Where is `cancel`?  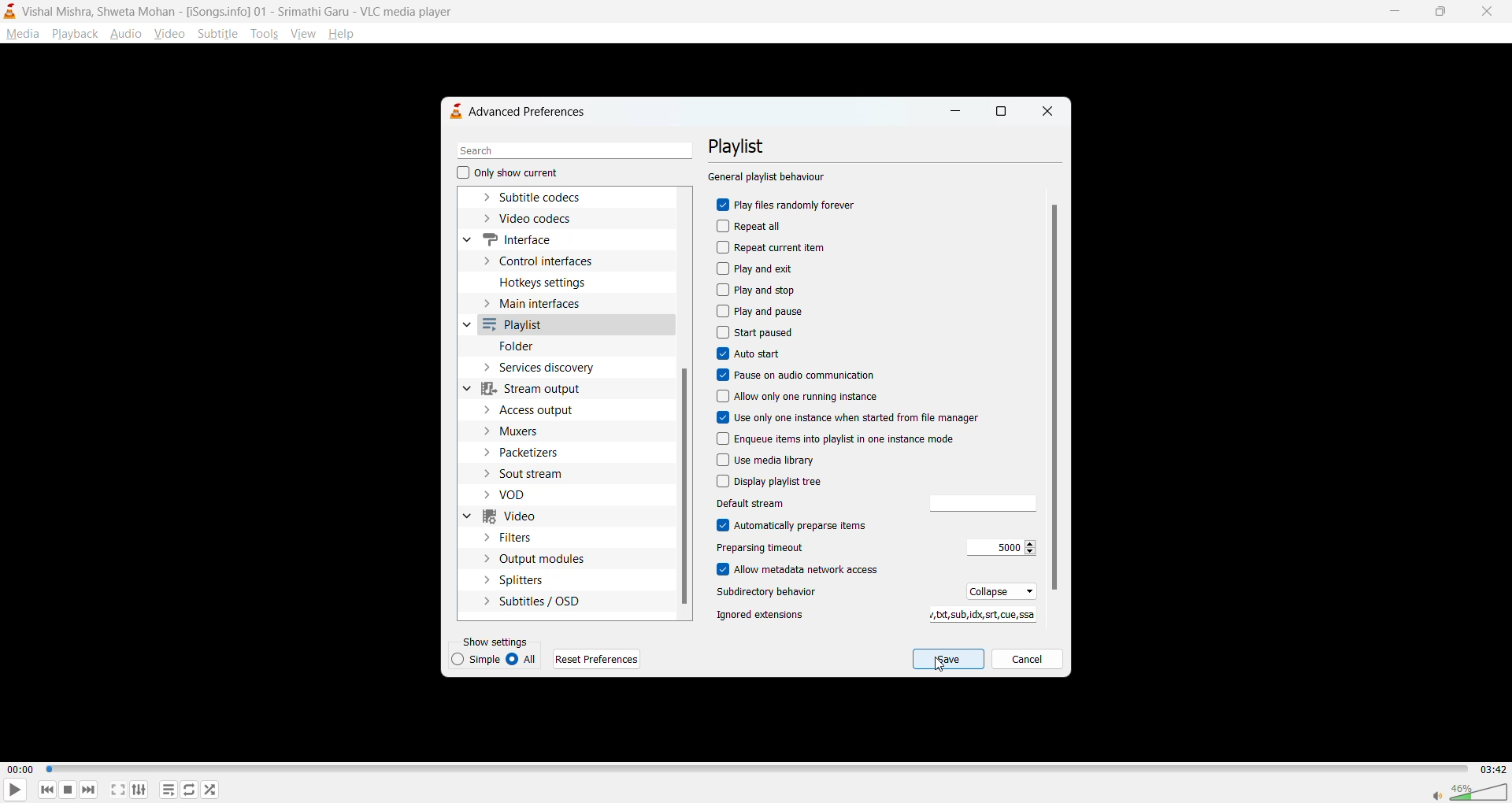 cancel is located at coordinates (1027, 661).